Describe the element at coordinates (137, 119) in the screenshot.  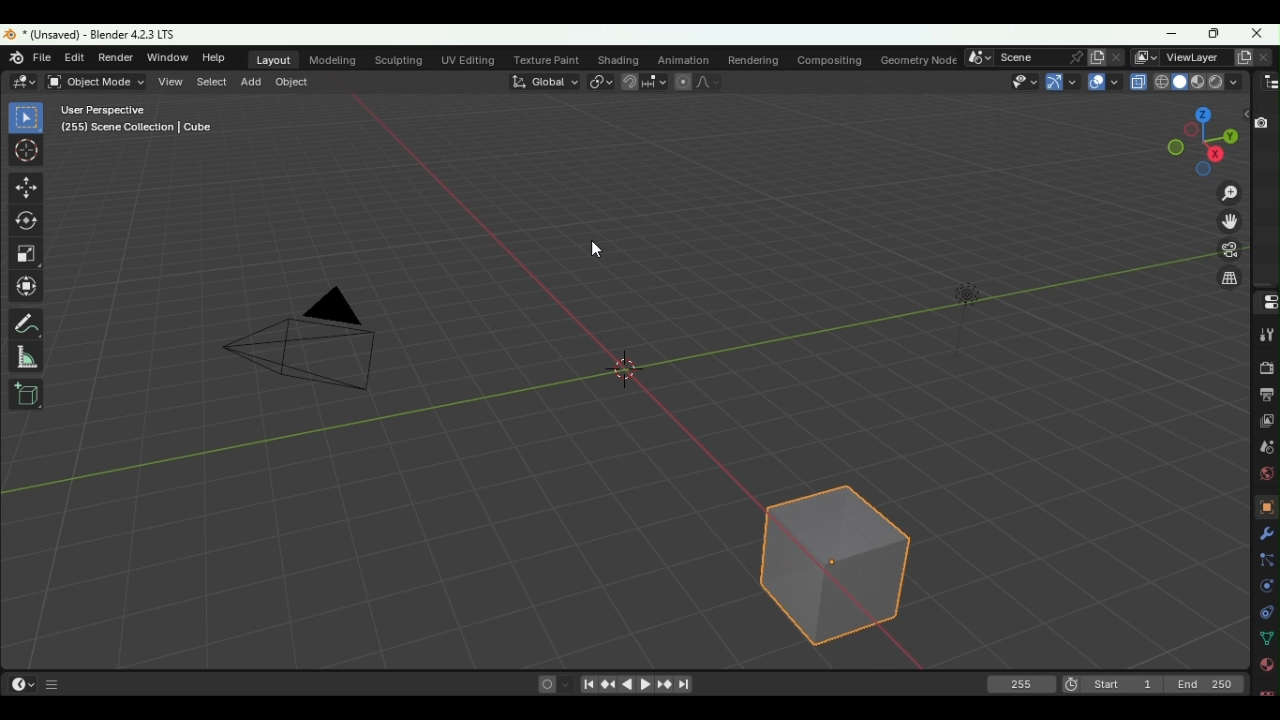
I see `User Perspective:
(255) Scene Collection | Cube` at that location.